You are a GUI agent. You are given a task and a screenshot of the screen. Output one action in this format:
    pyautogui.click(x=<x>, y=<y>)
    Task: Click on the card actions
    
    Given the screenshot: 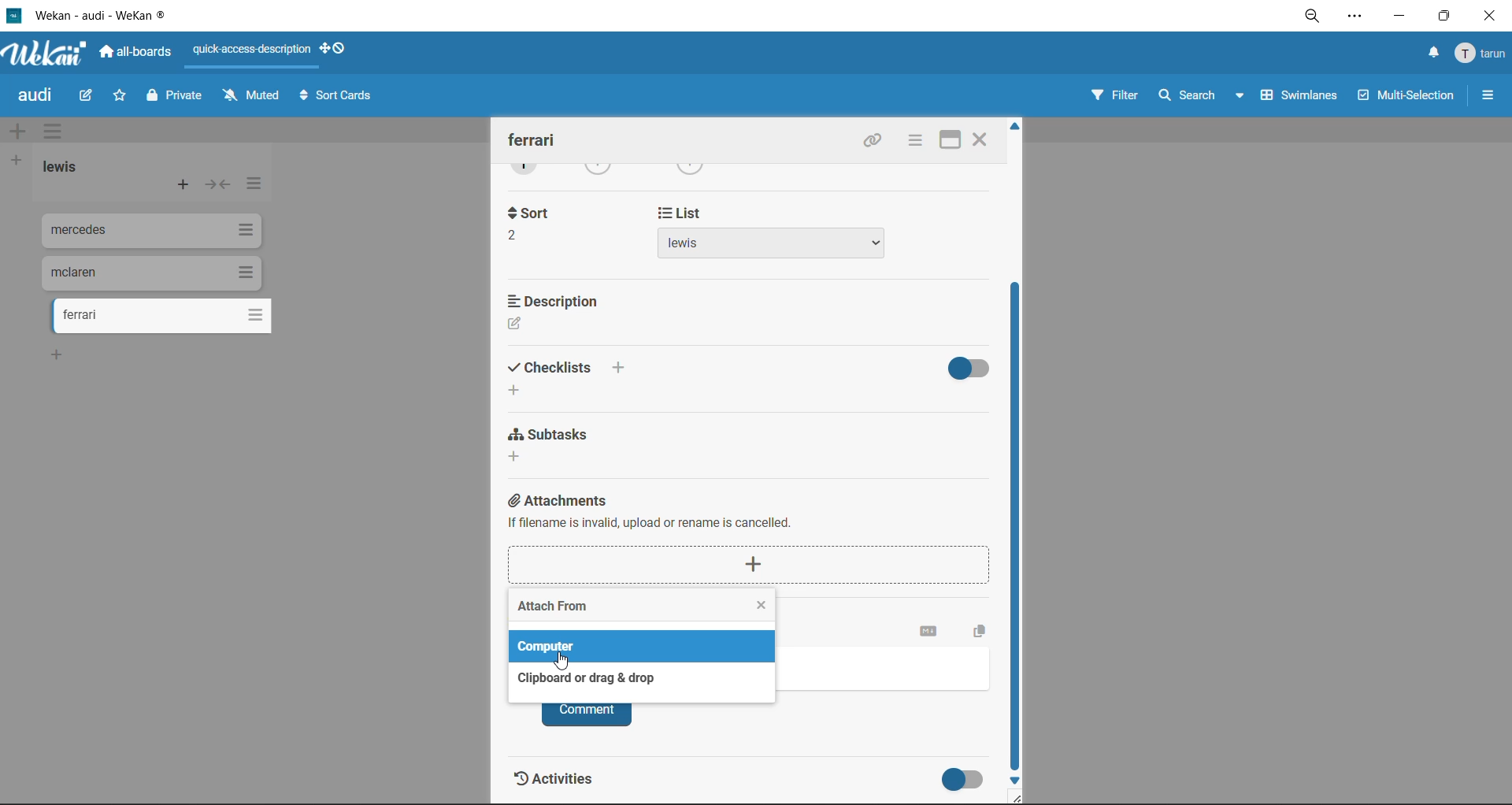 What is the action you would take?
    pyautogui.click(x=913, y=142)
    